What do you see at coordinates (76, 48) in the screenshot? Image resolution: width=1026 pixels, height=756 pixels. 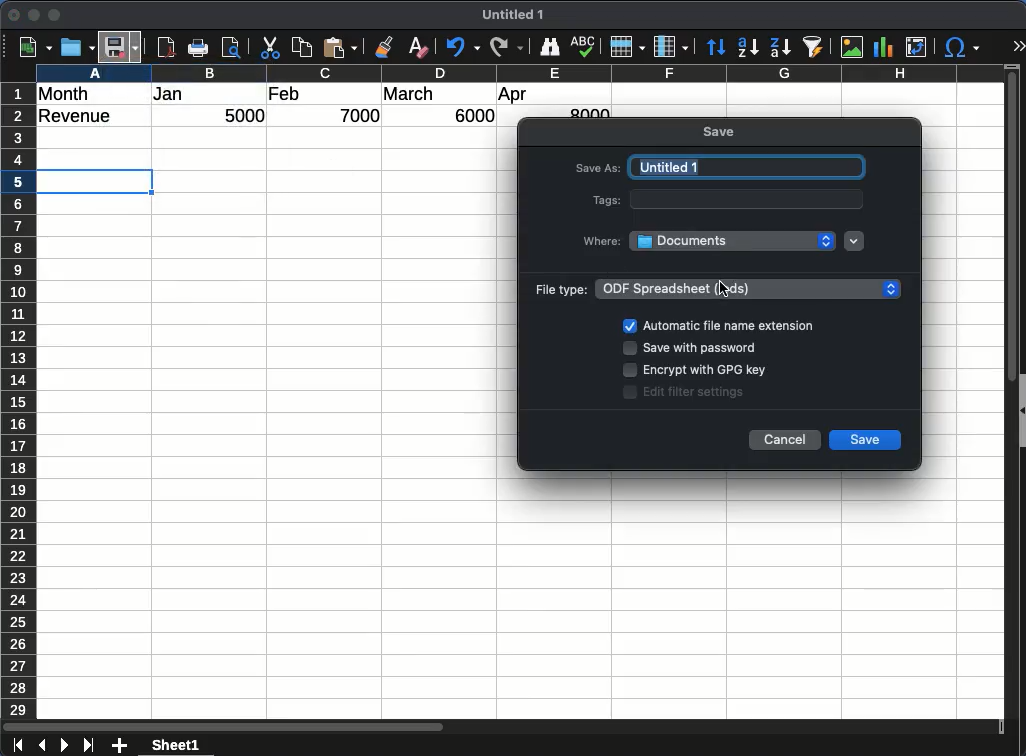 I see `open` at bounding box center [76, 48].